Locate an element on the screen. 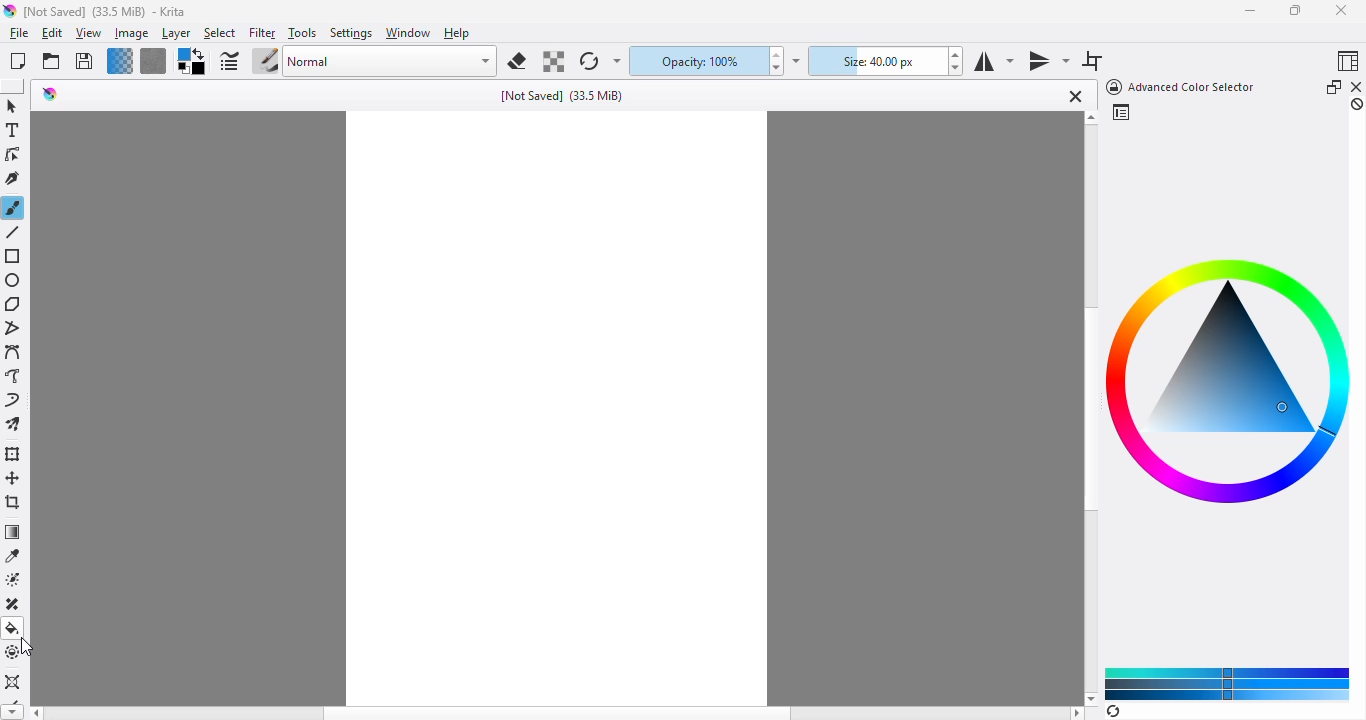 The height and width of the screenshot is (720, 1366). sample a color from the image or current layer is located at coordinates (14, 556).